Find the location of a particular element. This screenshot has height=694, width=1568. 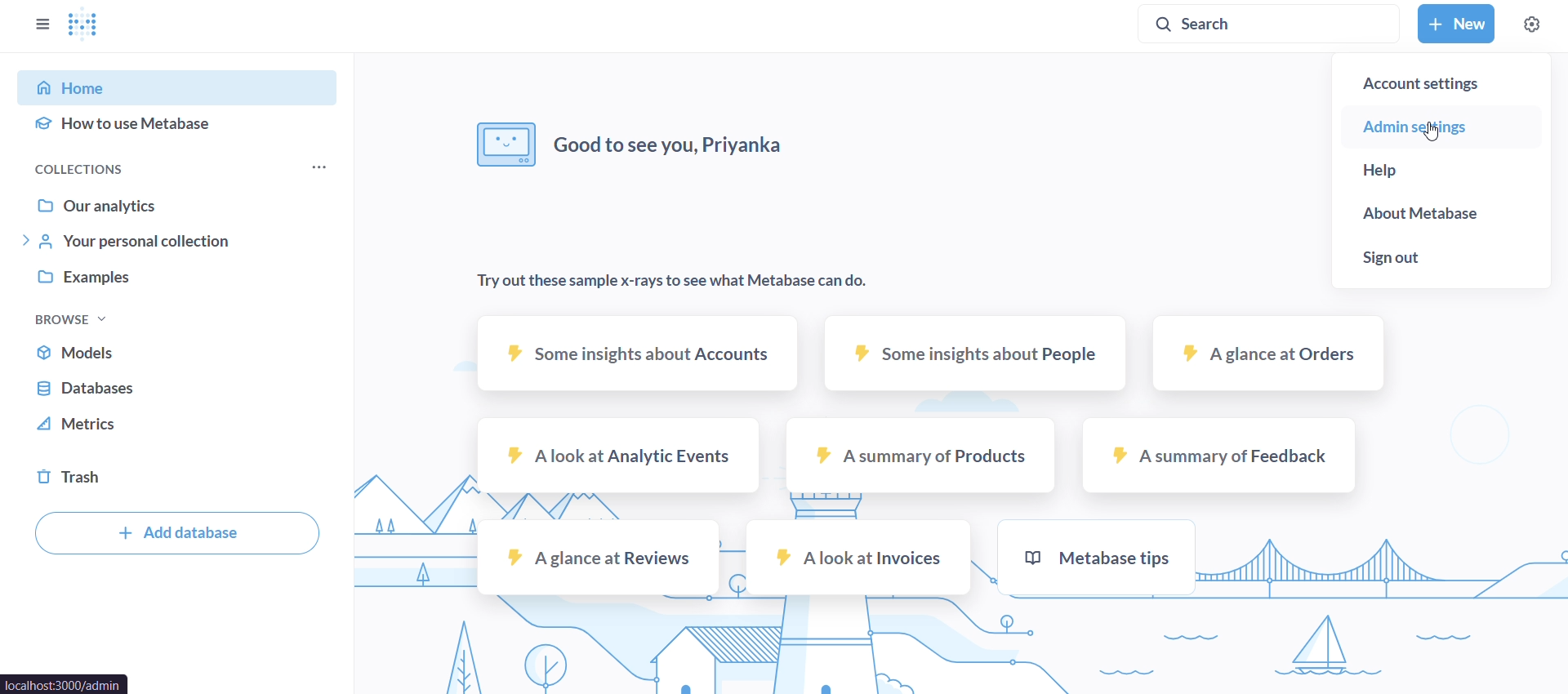

some insights about people  is located at coordinates (976, 353).